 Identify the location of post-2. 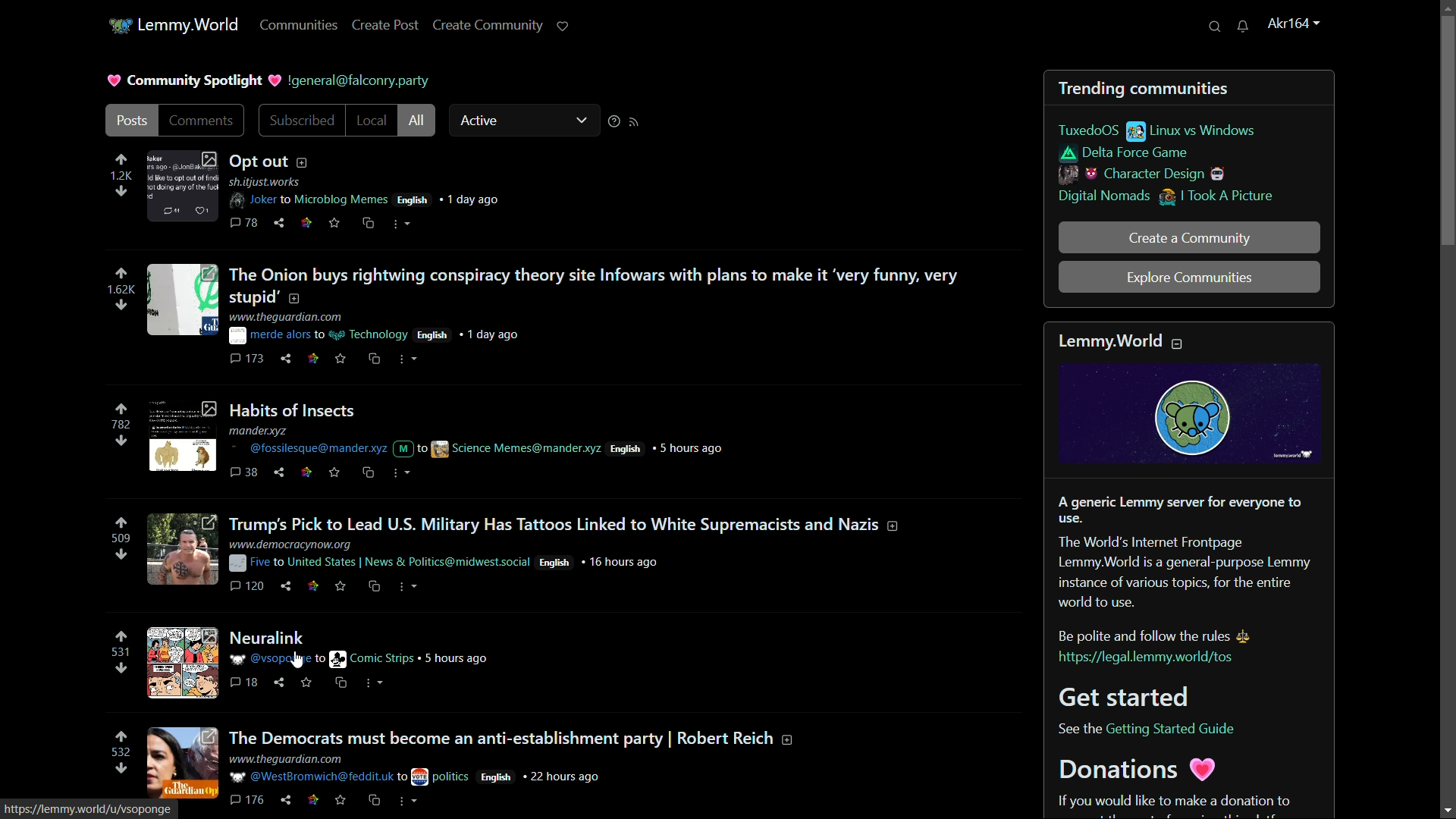
(601, 302).